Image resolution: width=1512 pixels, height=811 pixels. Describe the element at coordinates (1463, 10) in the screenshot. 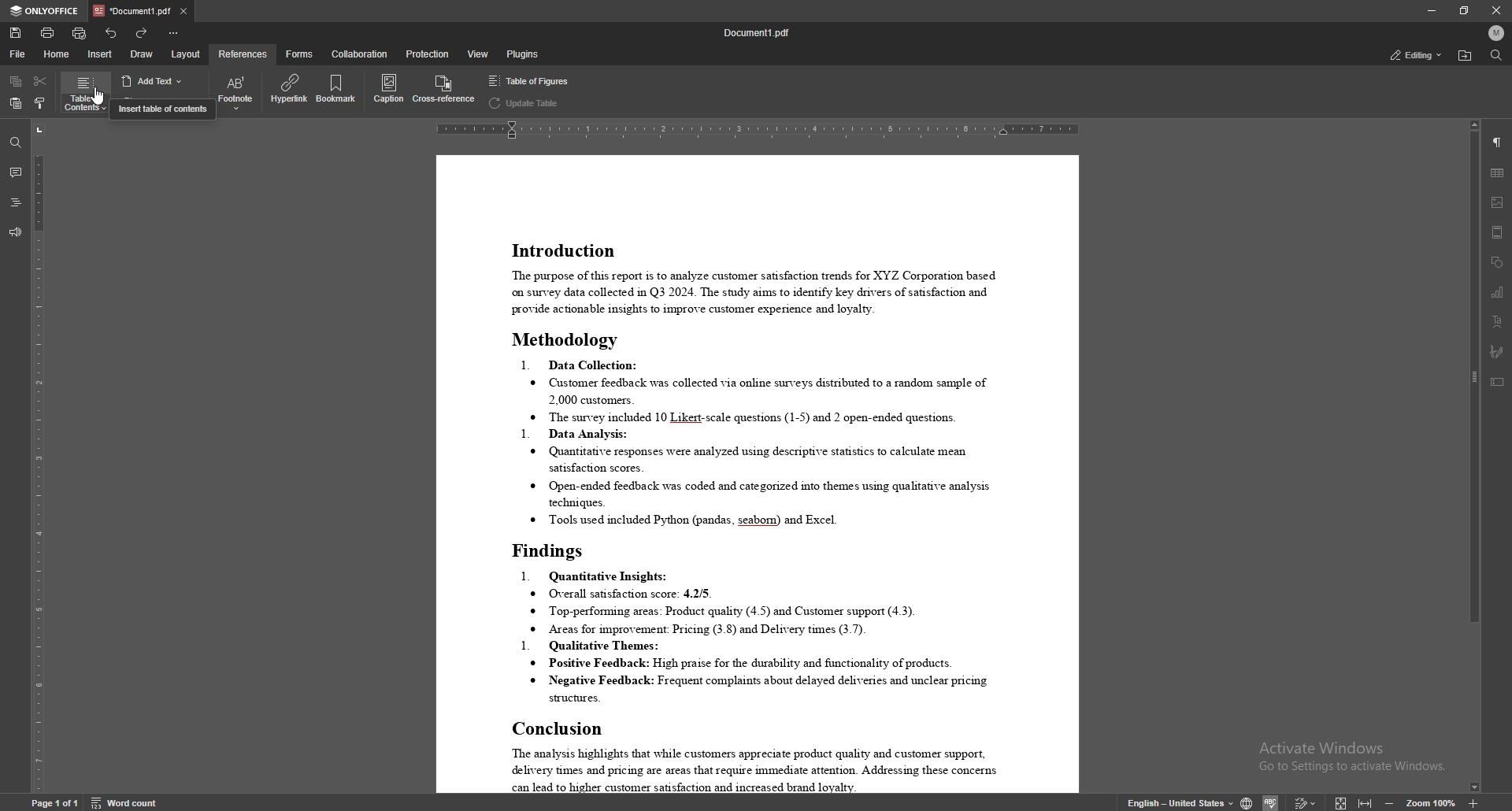

I see `resize` at that location.